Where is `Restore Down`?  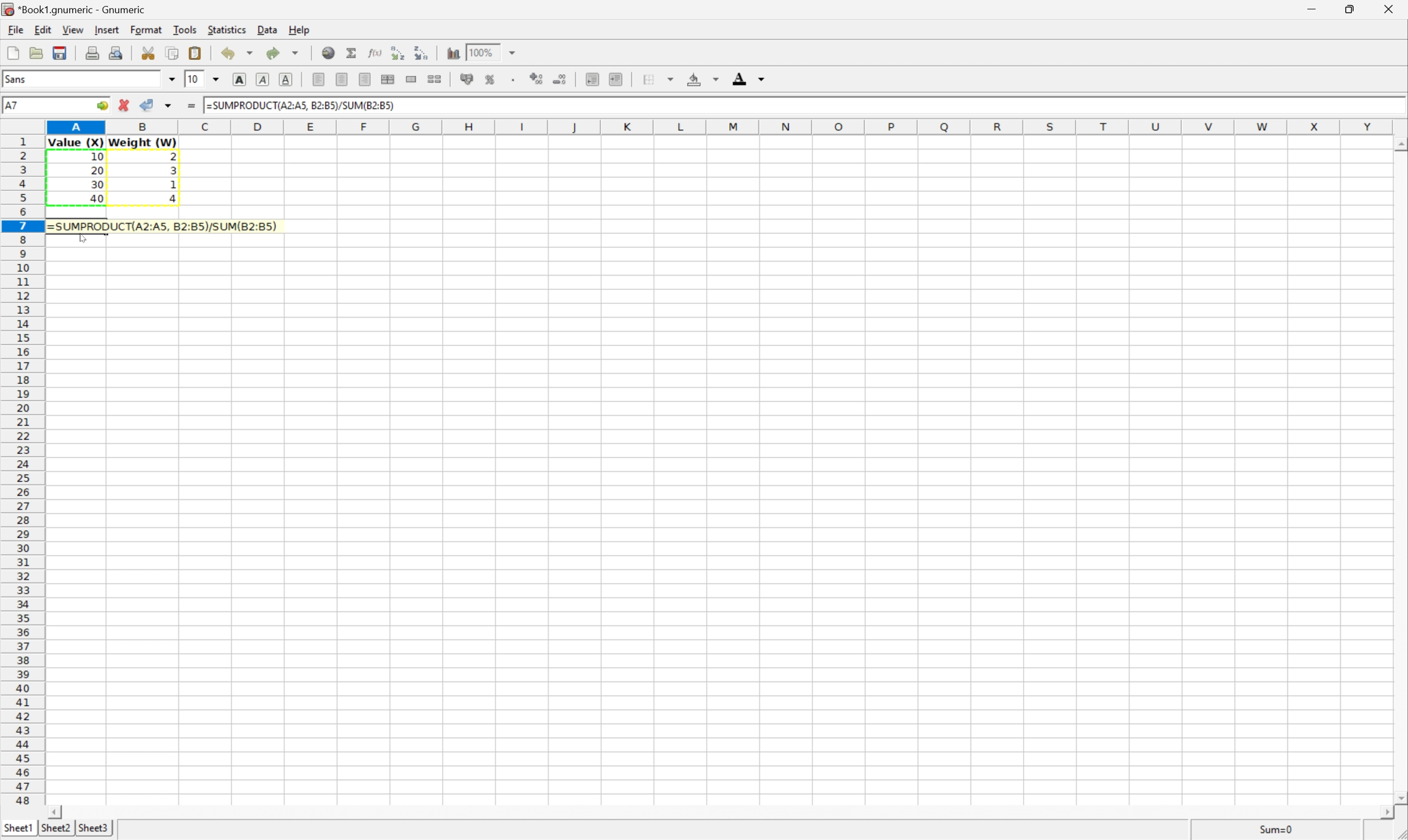
Restore Down is located at coordinates (1349, 9).